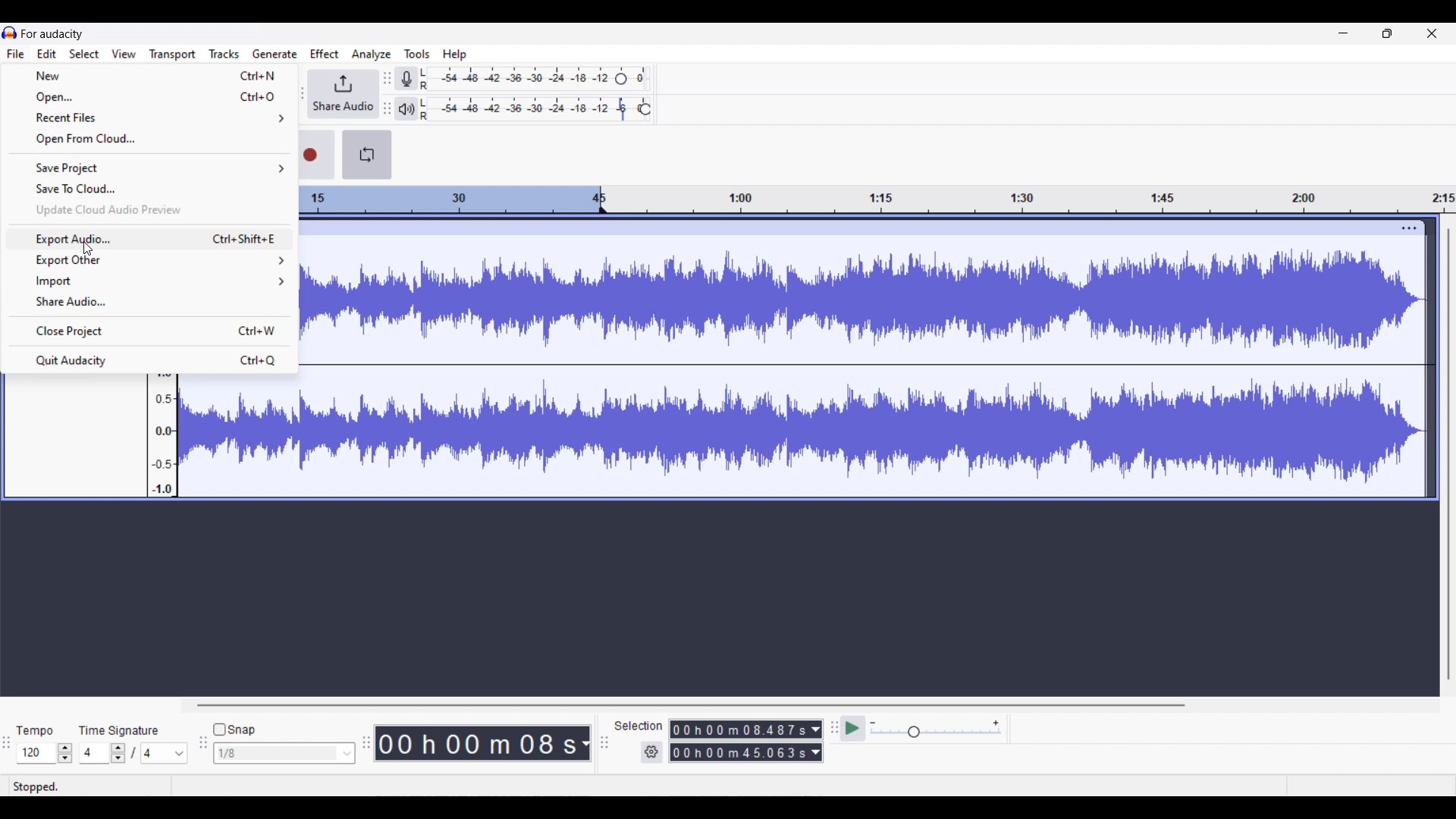  What do you see at coordinates (152, 118) in the screenshot?
I see `Recent files options` at bounding box center [152, 118].